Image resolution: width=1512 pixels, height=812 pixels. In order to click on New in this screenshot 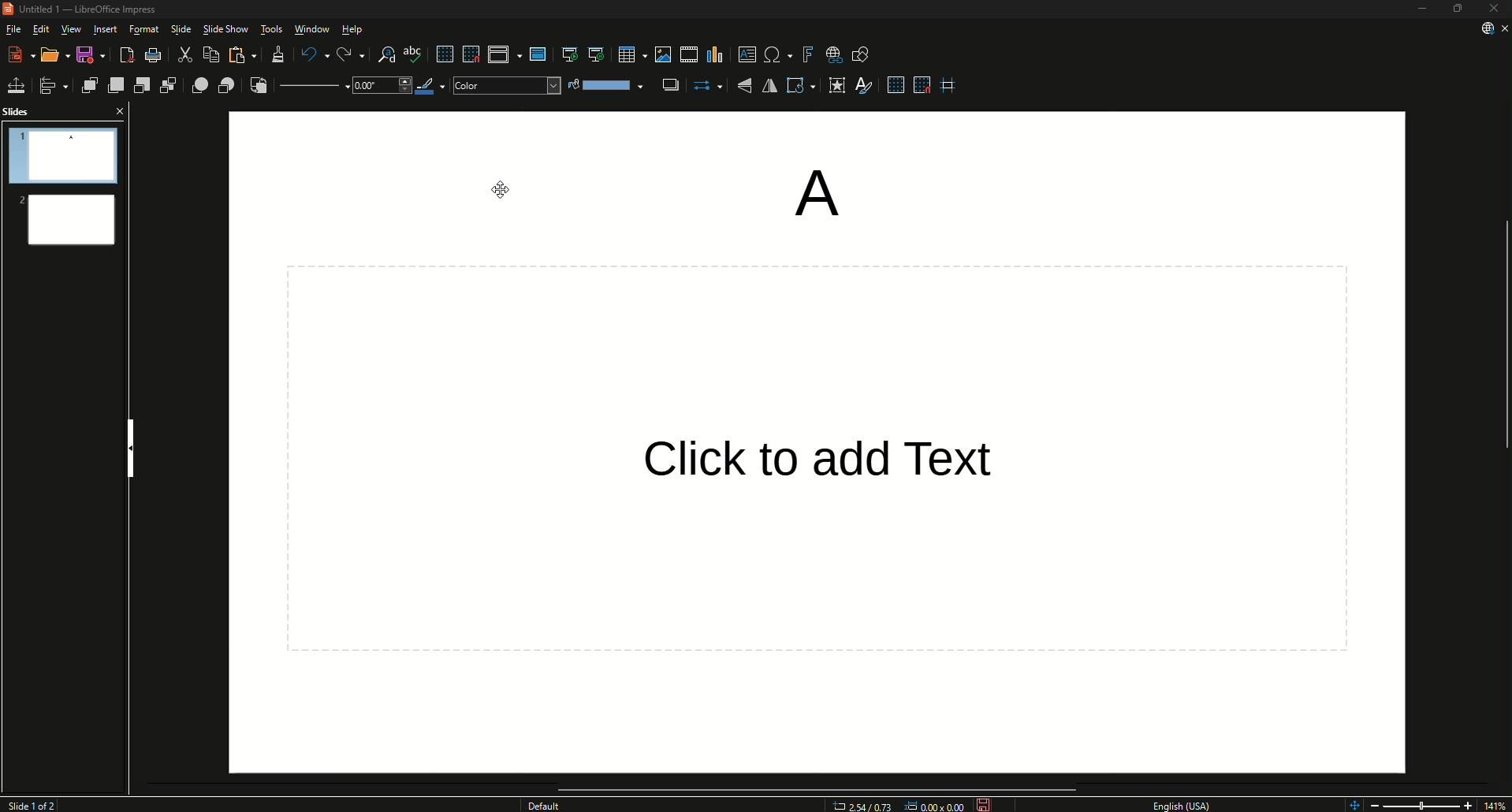, I will do `click(18, 55)`.